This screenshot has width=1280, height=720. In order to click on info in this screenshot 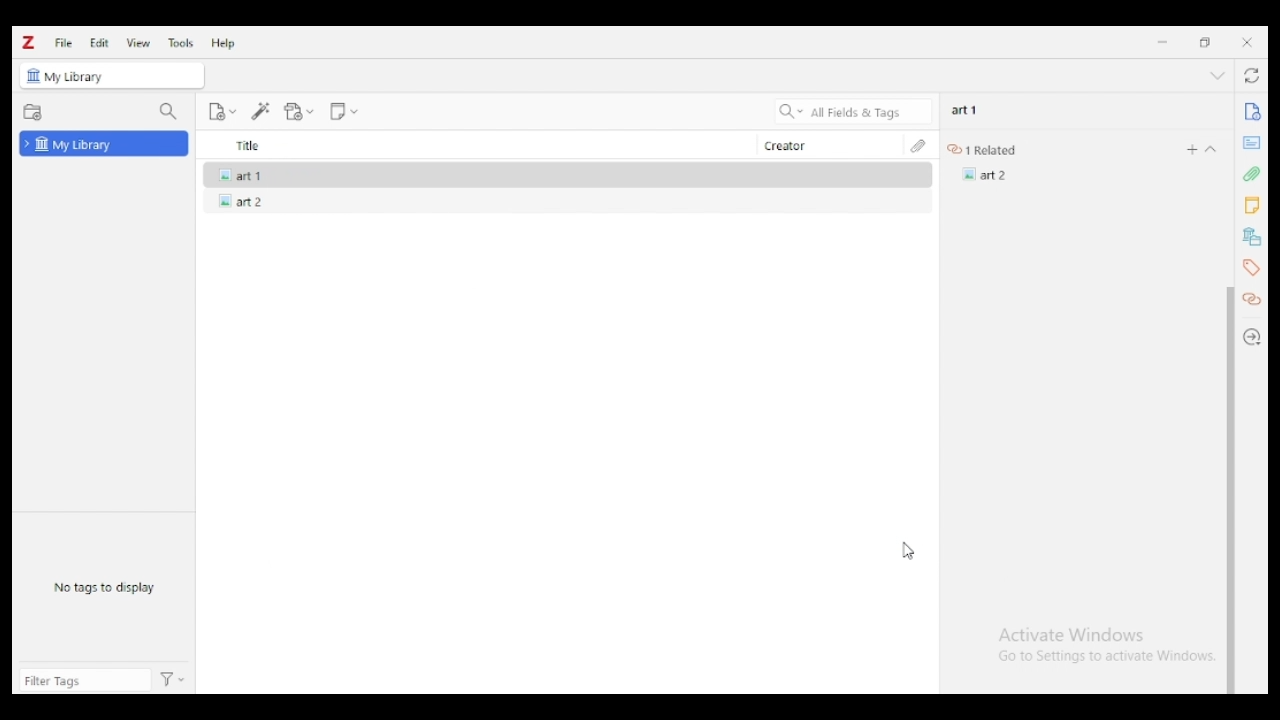, I will do `click(1251, 112)`.